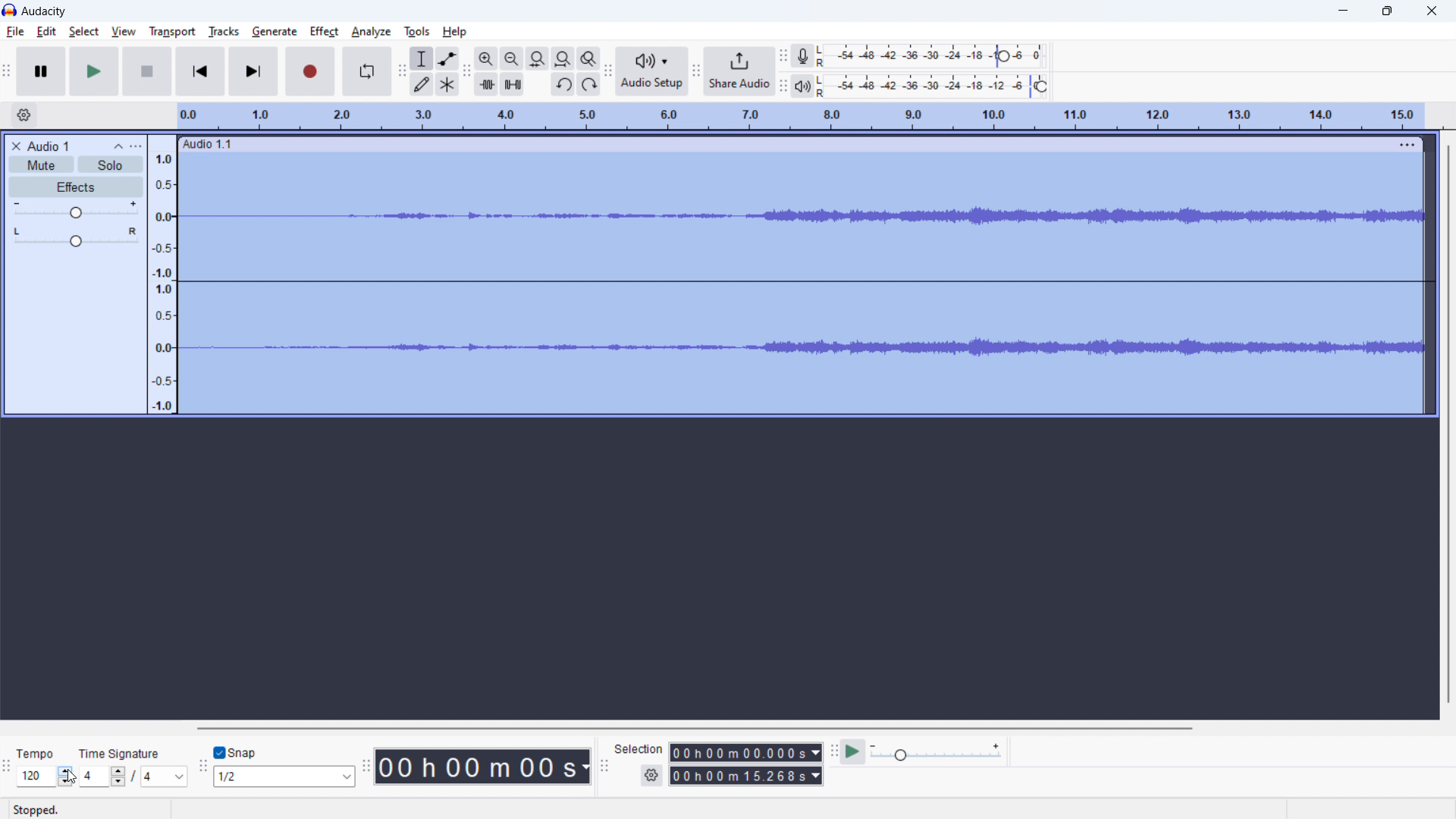 Image resolution: width=1456 pixels, height=819 pixels. What do you see at coordinates (45, 12) in the screenshot?
I see `title` at bounding box center [45, 12].